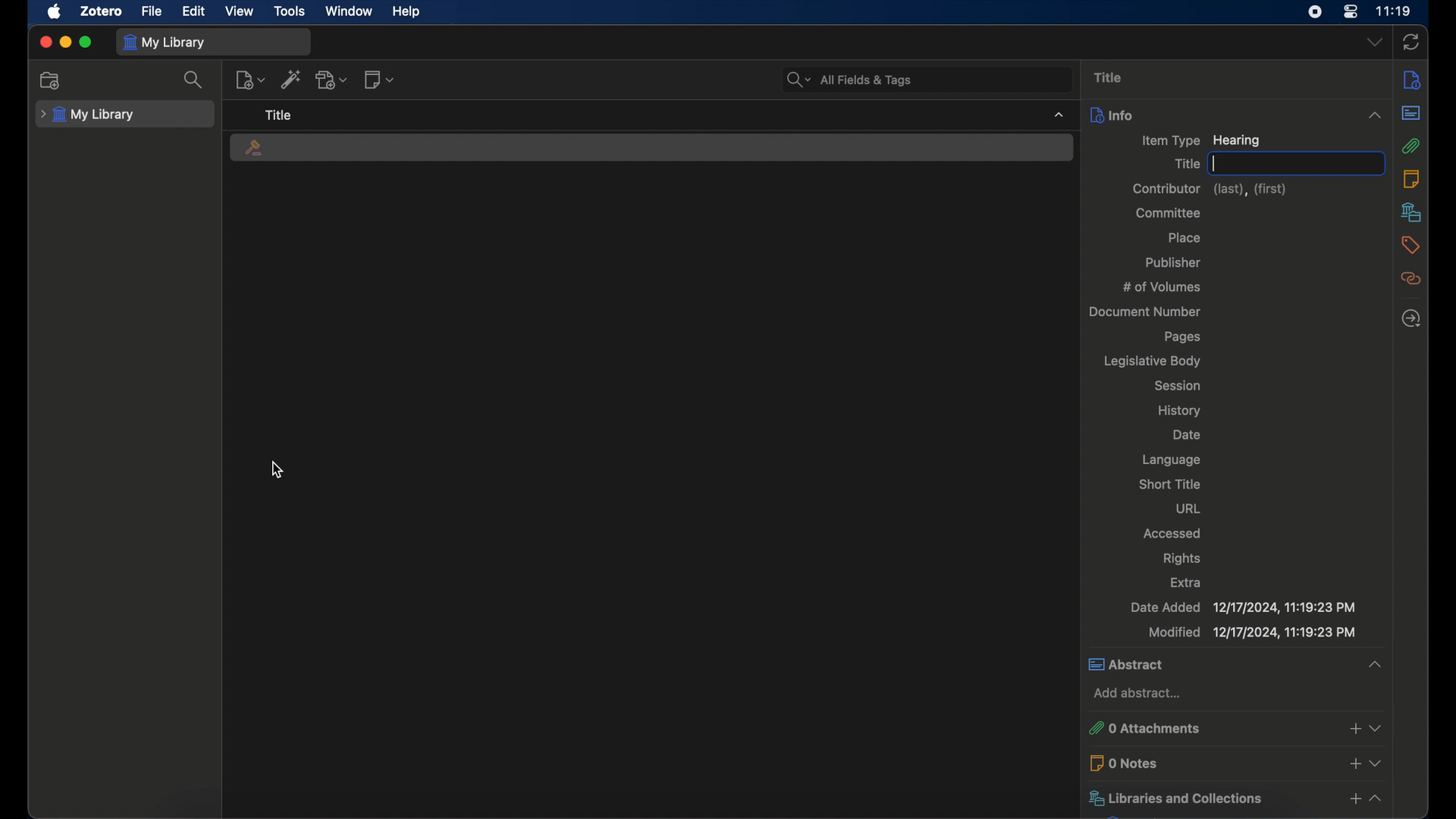 Image resolution: width=1456 pixels, height=819 pixels. I want to click on zotero, so click(99, 11).